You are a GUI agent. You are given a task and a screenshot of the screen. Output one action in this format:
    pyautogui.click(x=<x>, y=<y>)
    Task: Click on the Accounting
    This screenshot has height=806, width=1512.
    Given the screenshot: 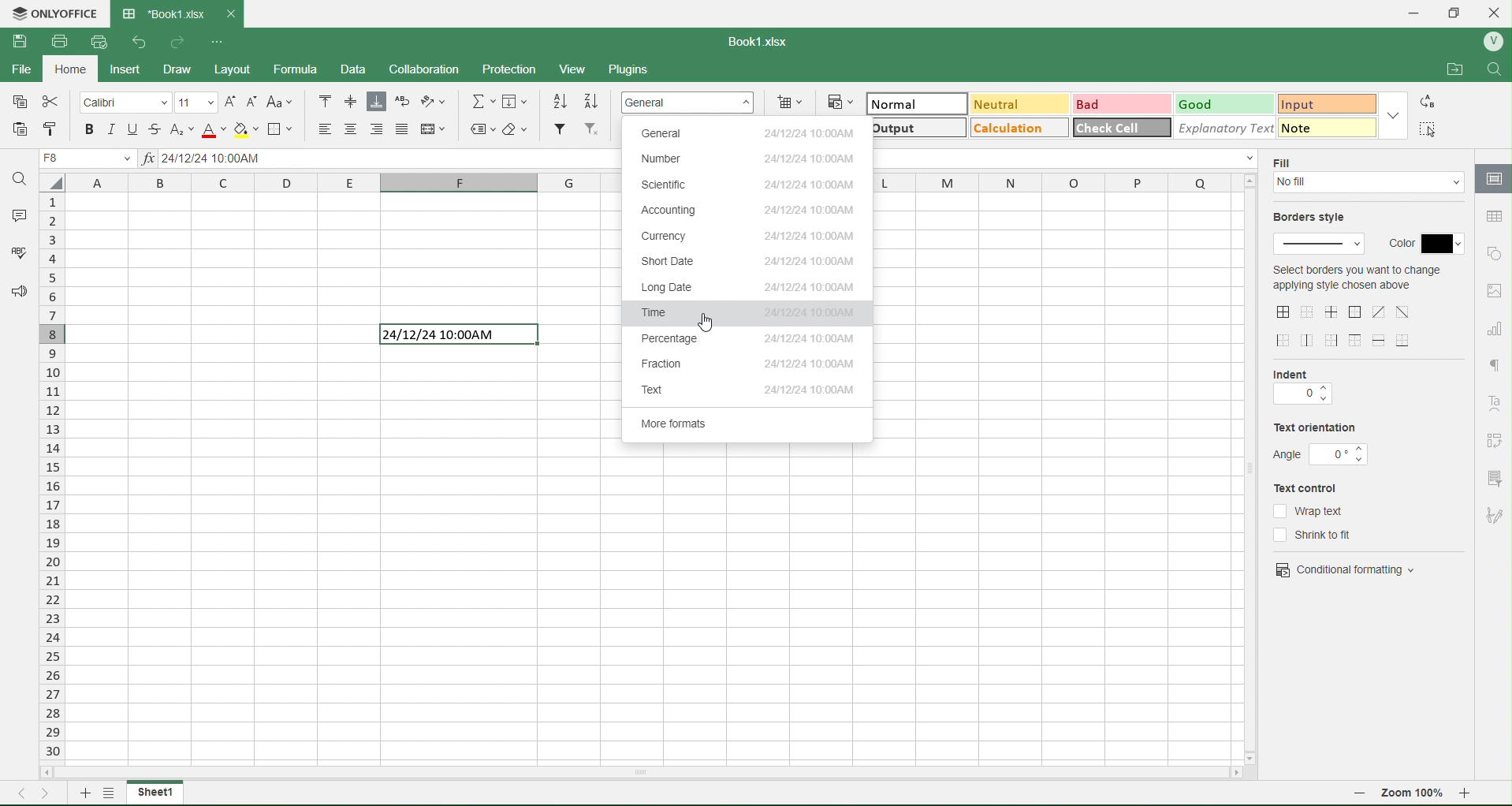 What is the action you would take?
    pyautogui.click(x=747, y=209)
    